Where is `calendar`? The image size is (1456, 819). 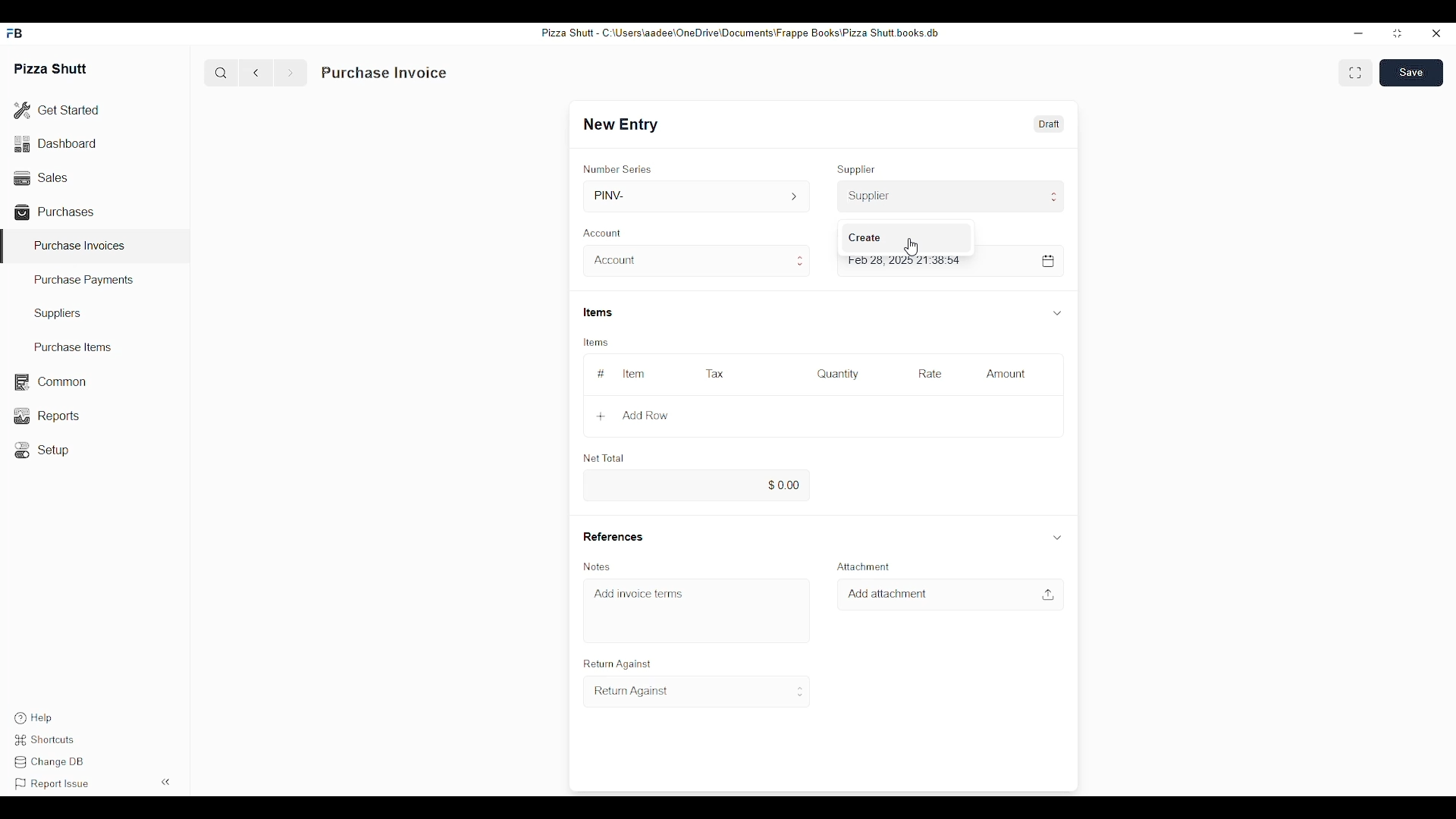
calendar is located at coordinates (1046, 260).